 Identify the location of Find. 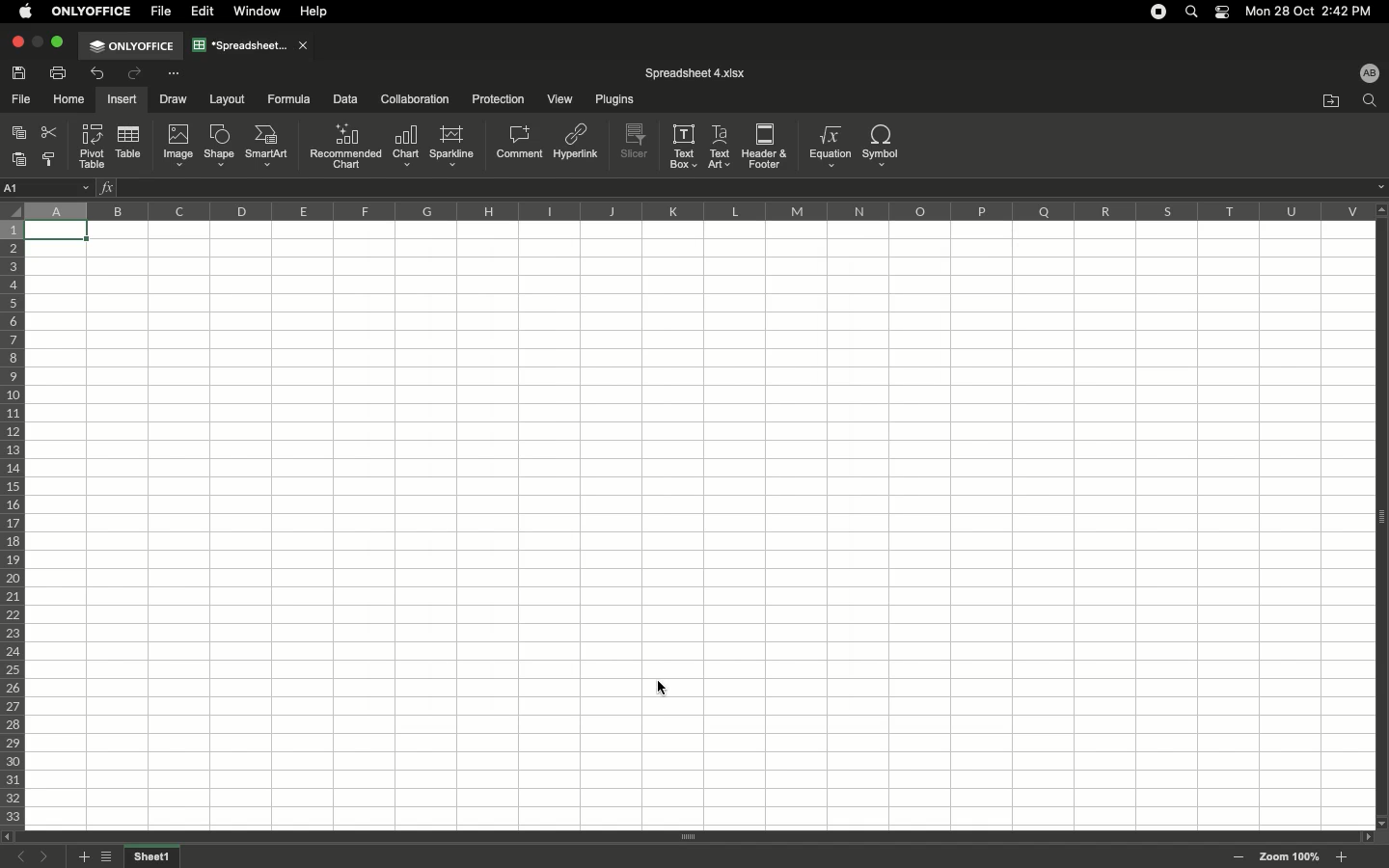
(1369, 101).